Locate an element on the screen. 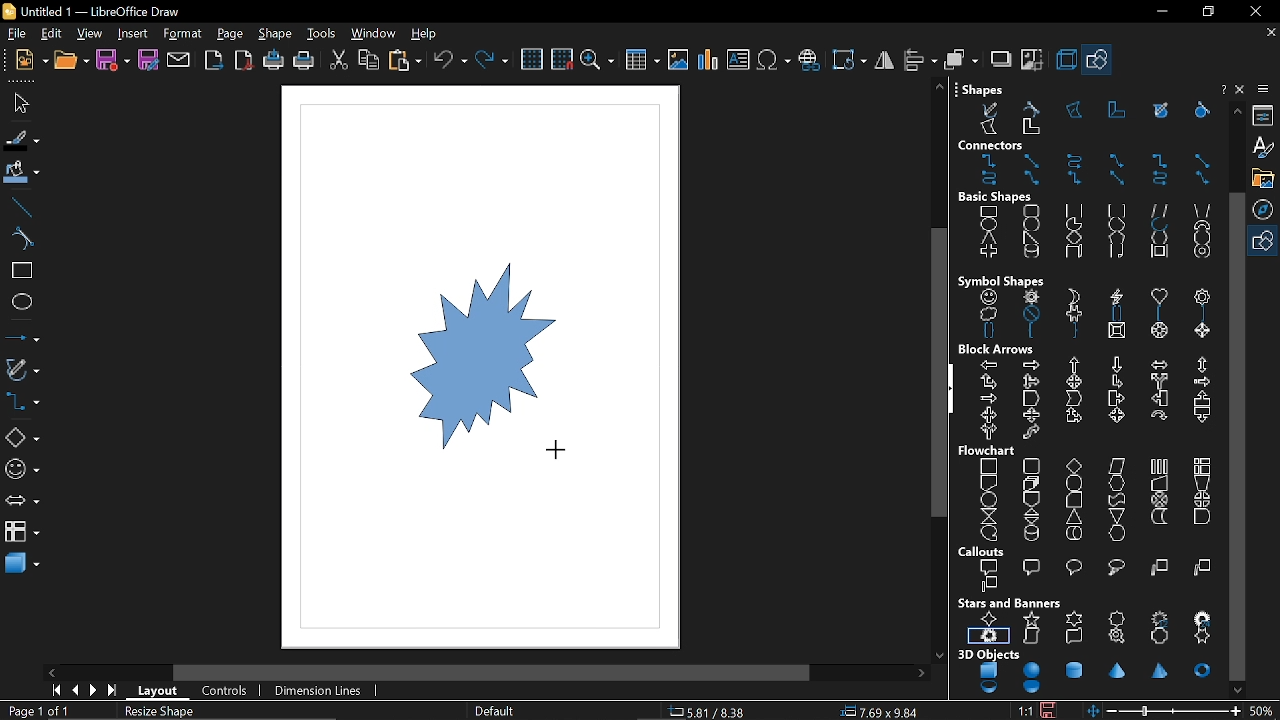 Image resolution: width=1280 pixels, height=720 pixels. zoom is located at coordinates (597, 61).